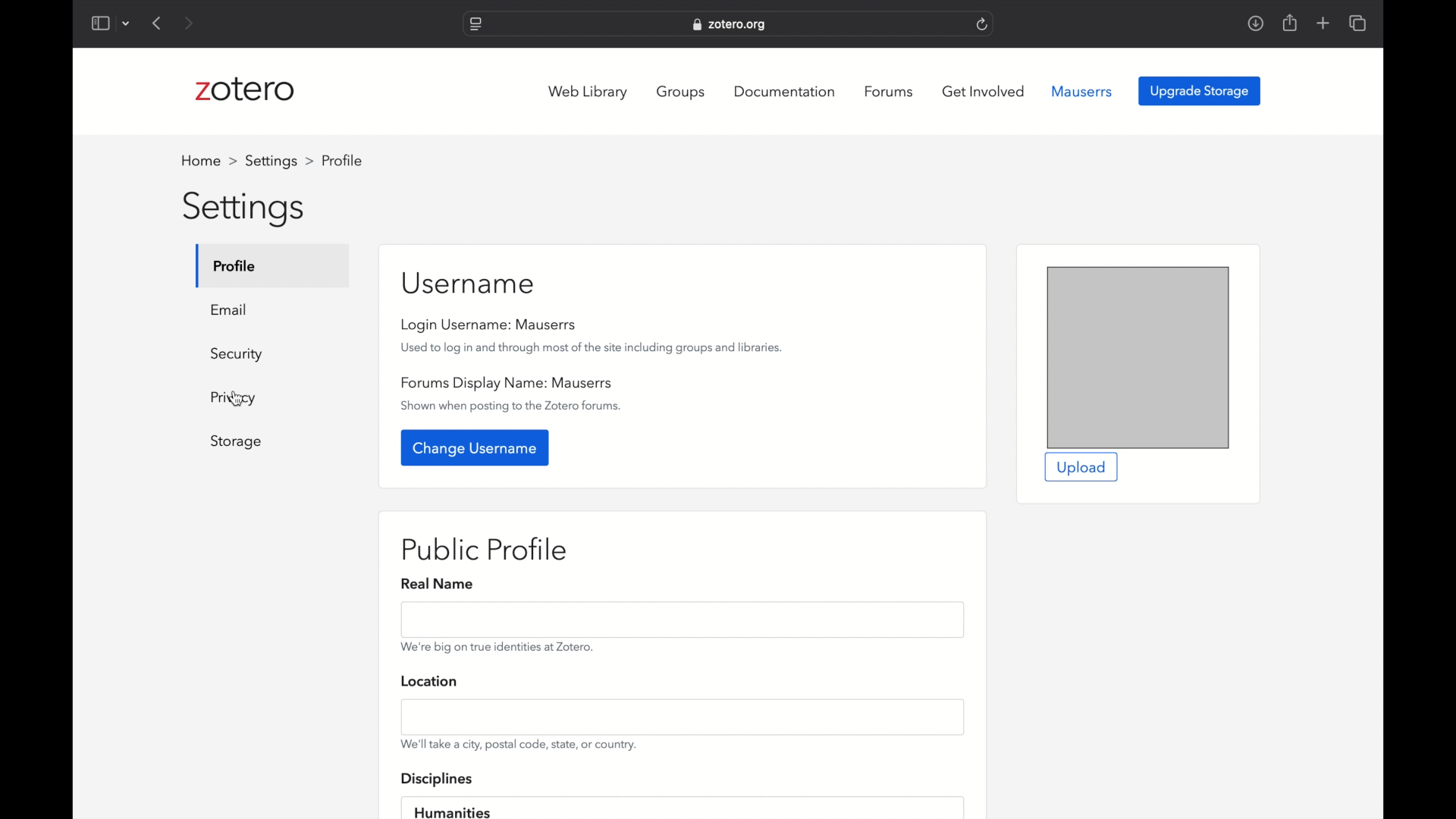  Describe the element at coordinates (474, 25) in the screenshot. I see `website settings` at that location.